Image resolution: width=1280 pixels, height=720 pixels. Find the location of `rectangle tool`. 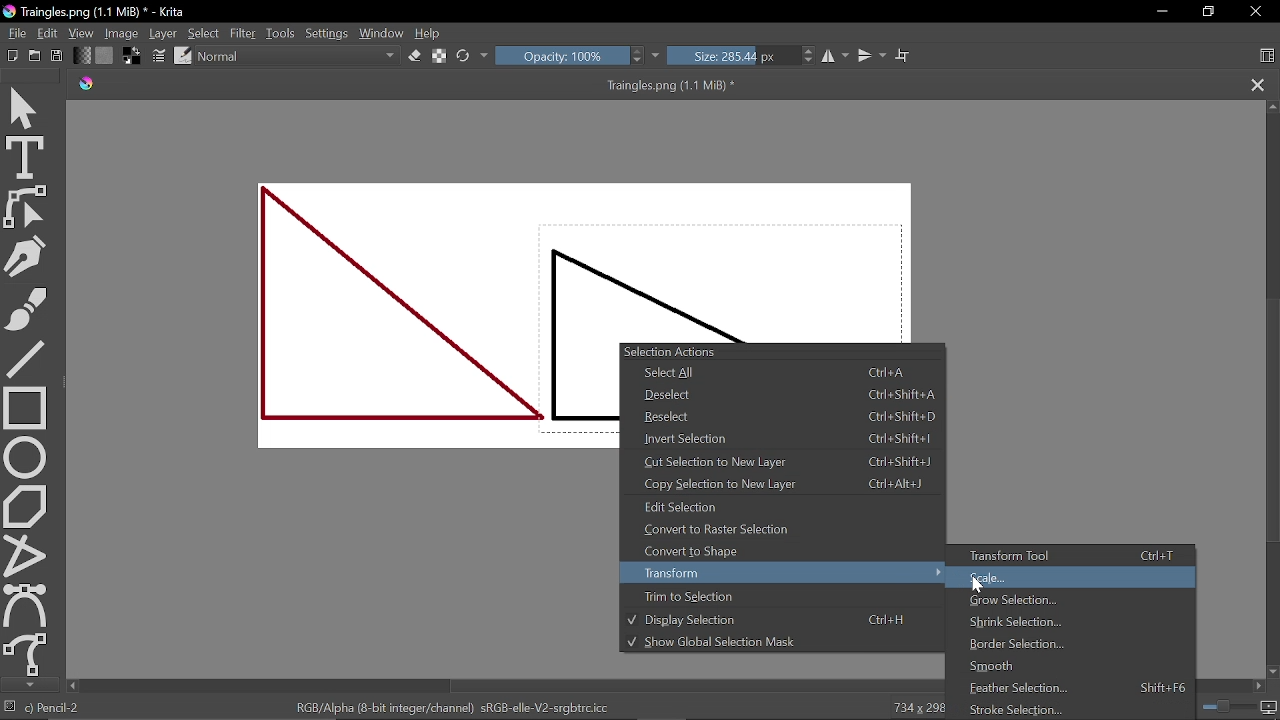

rectangle tool is located at coordinates (26, 406).